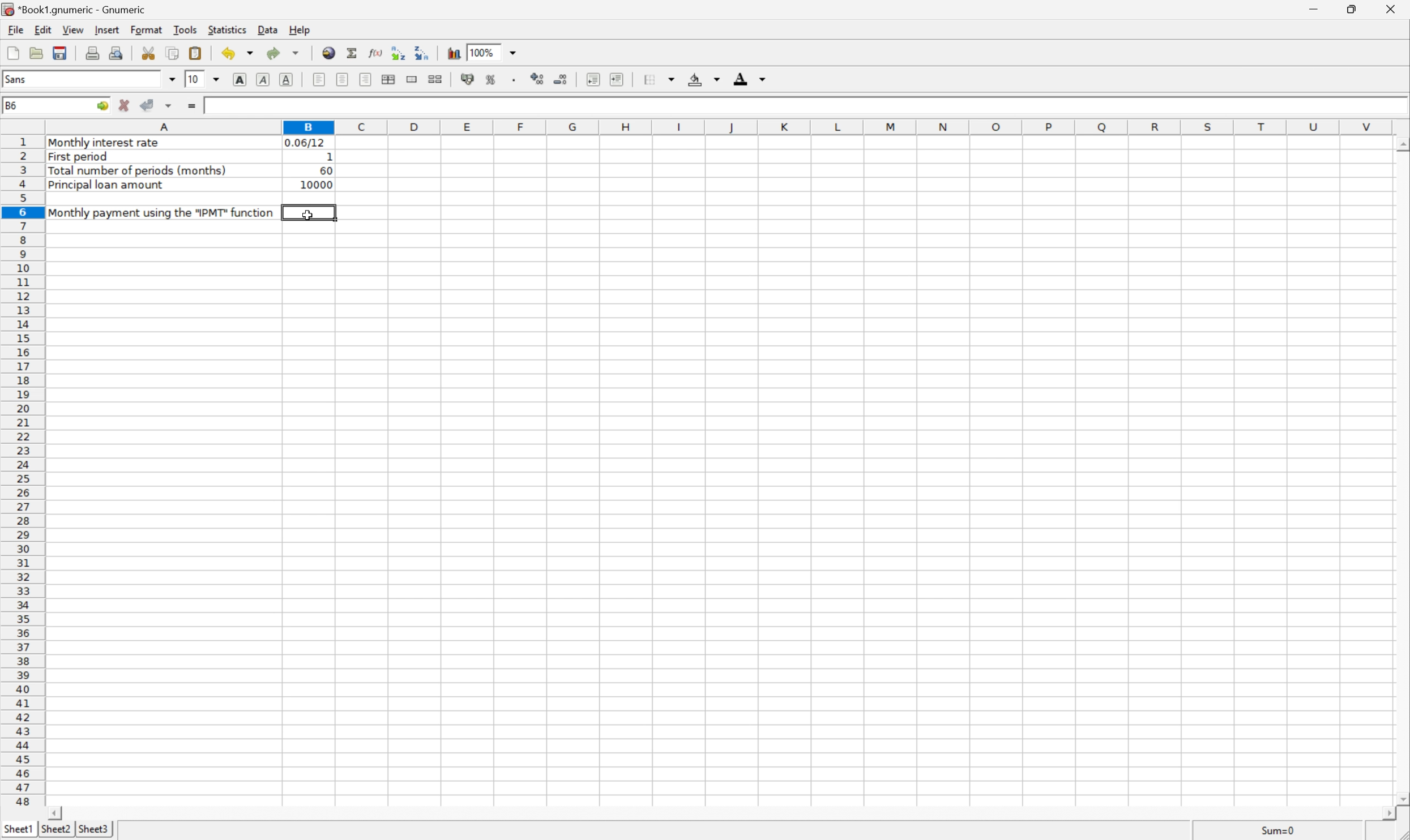 Image resolution: width=1410 pixels, height=840 pixels. Describe the element at coordinates (325, 170) in the screenshot. I see `60` at that location.